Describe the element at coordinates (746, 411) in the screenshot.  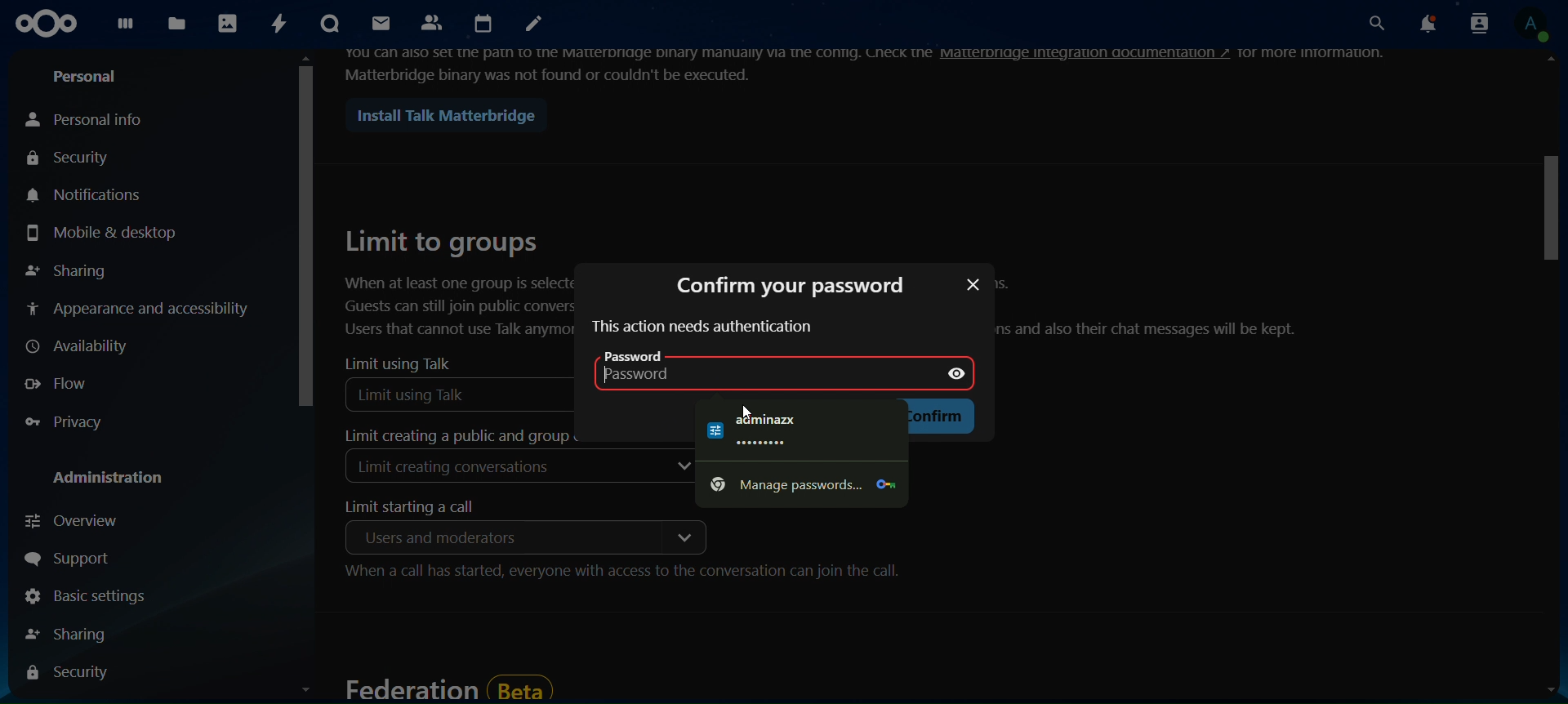
I see `cursor` at that location.